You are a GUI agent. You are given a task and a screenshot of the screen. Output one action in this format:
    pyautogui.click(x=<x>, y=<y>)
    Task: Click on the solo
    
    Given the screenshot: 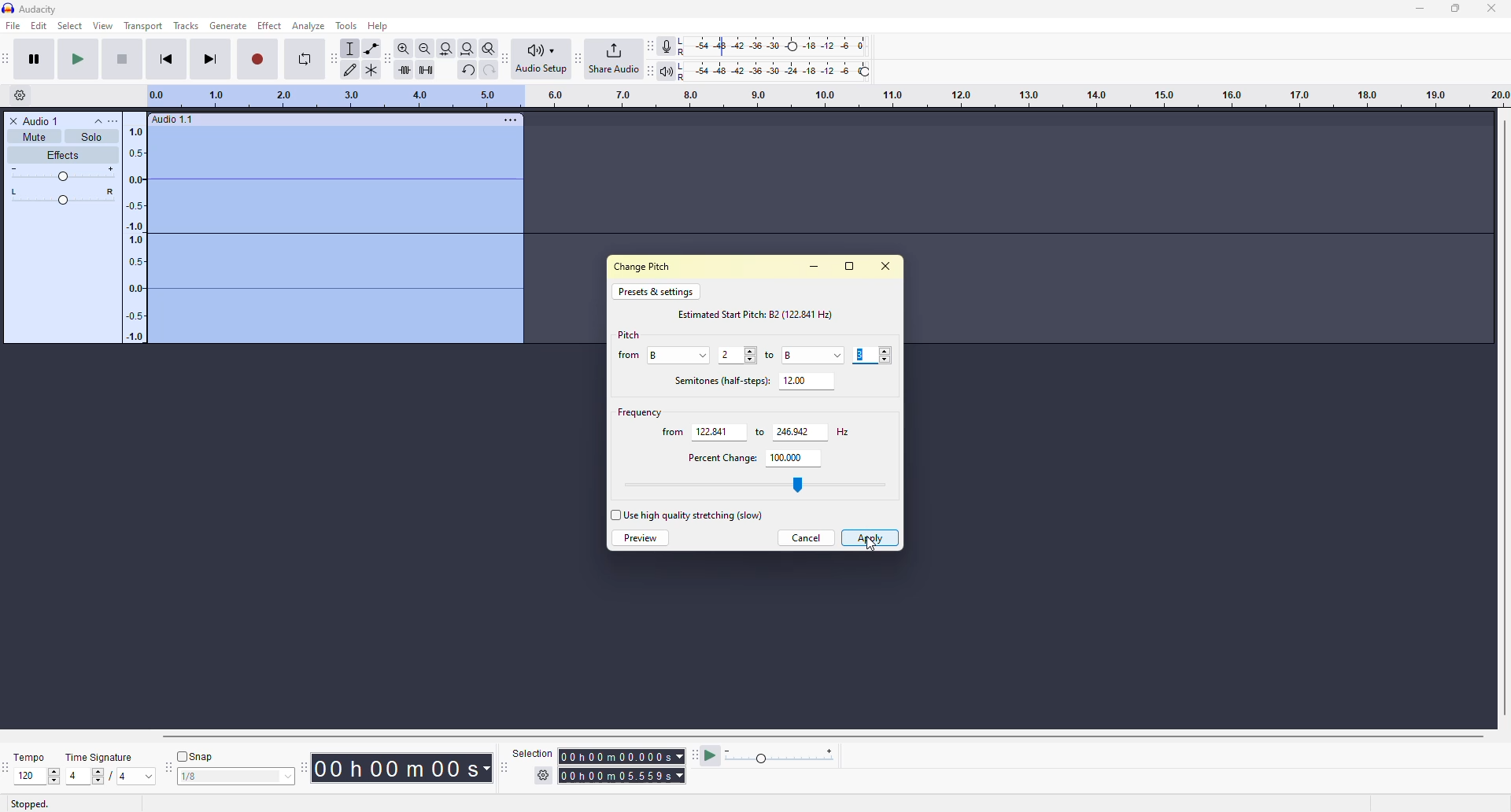 What is the action you would take?
    pyautogui.click(x=91, y=136)
    